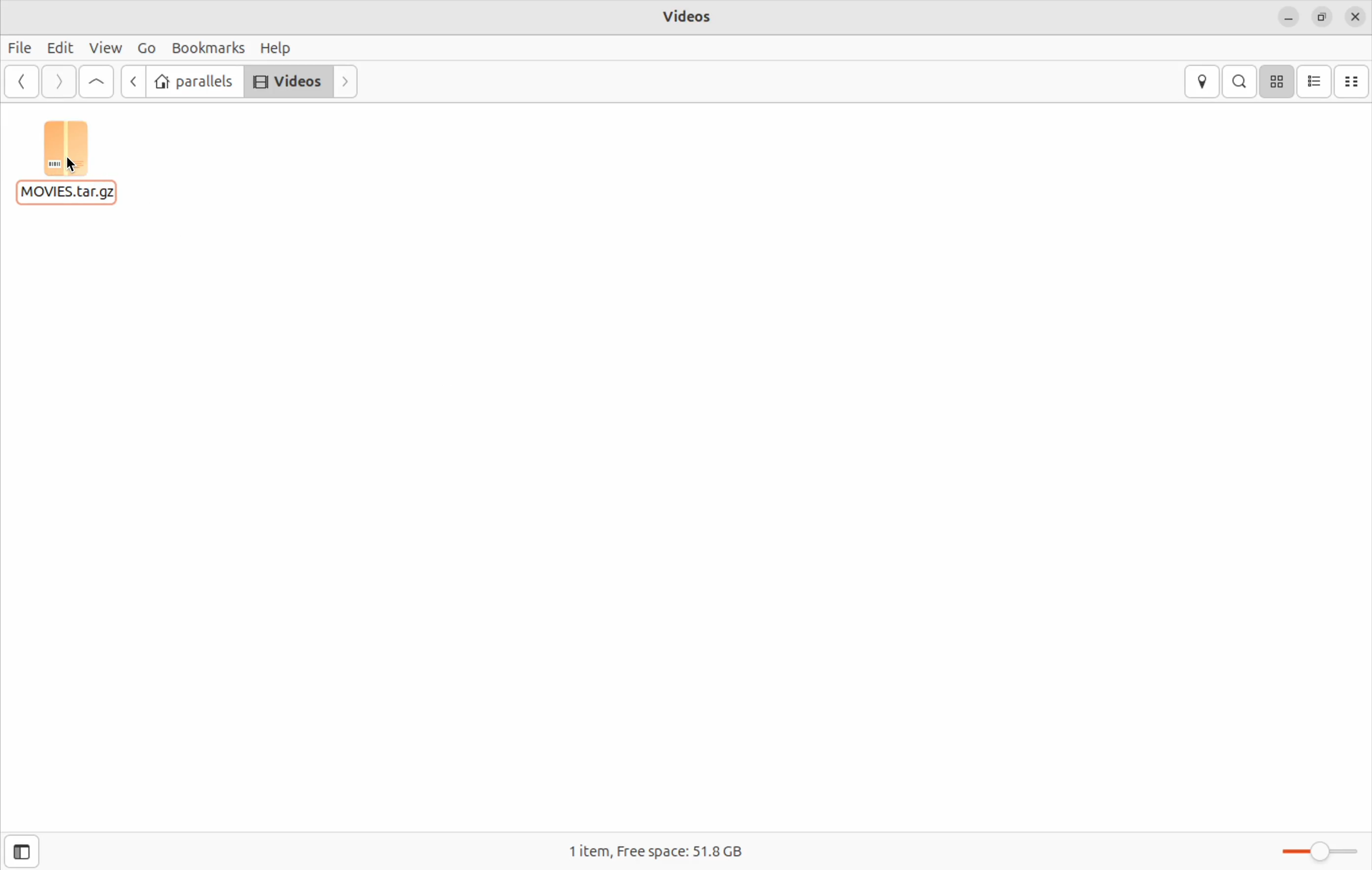 The width and height of the screenshot is (1372, 870). Describe the element at coordinates (1288, 19) in the screenshot. I see `minimize` at that location.